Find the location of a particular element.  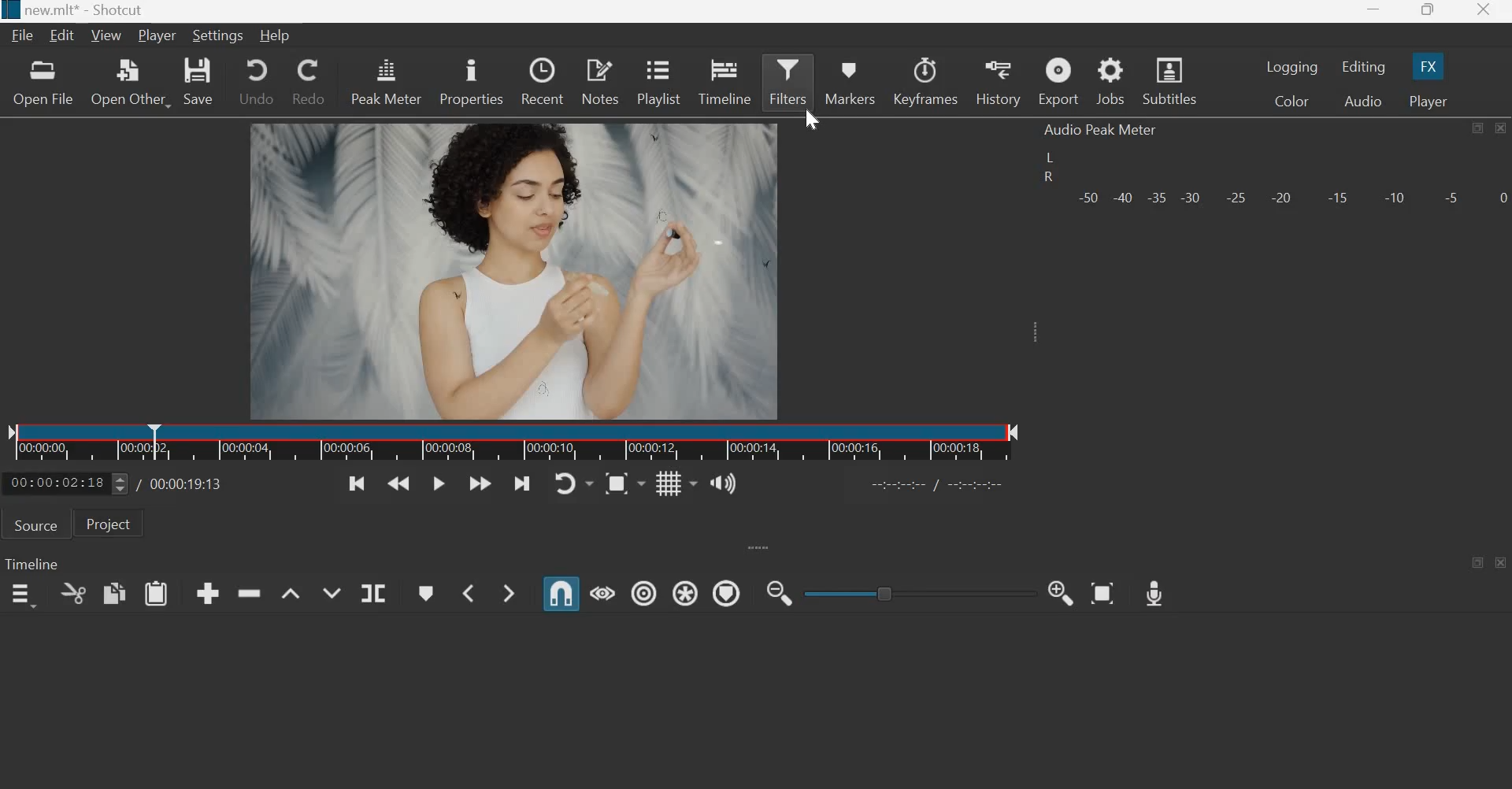

Snap is located at coordinates (561, 594).